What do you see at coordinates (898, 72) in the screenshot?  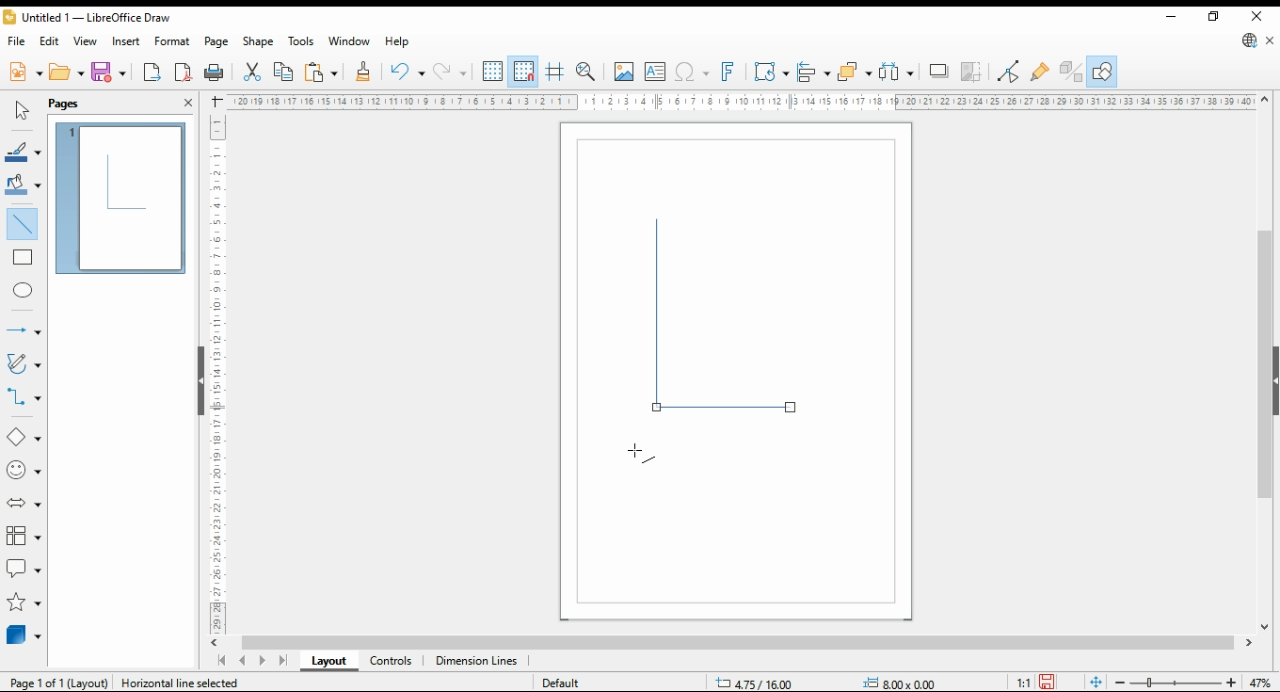 I see `select at least three objects to distribute` at bounding box center [898, 72].